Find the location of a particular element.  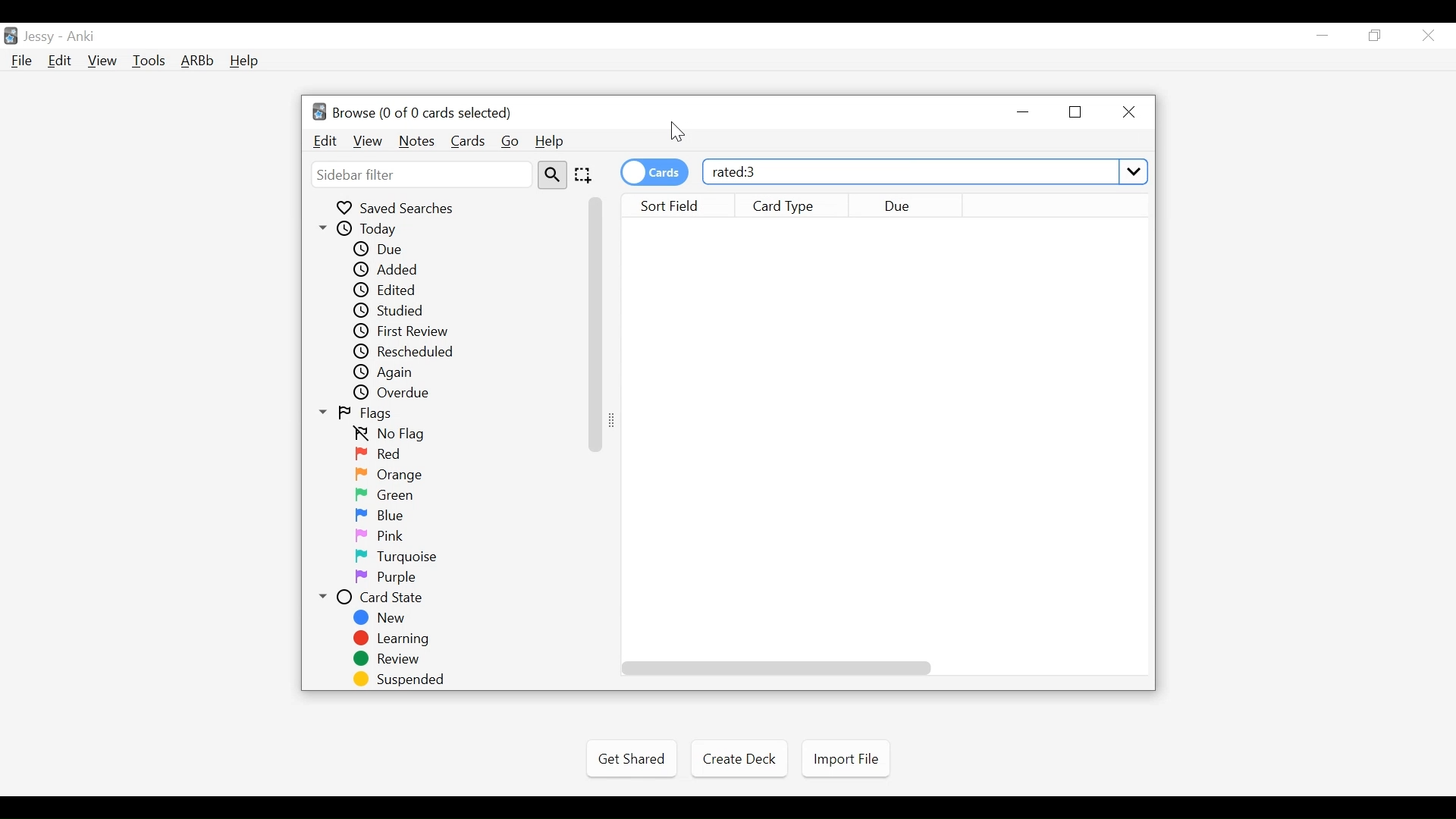

Sidebar Filter is located at coordinates (422, 175).